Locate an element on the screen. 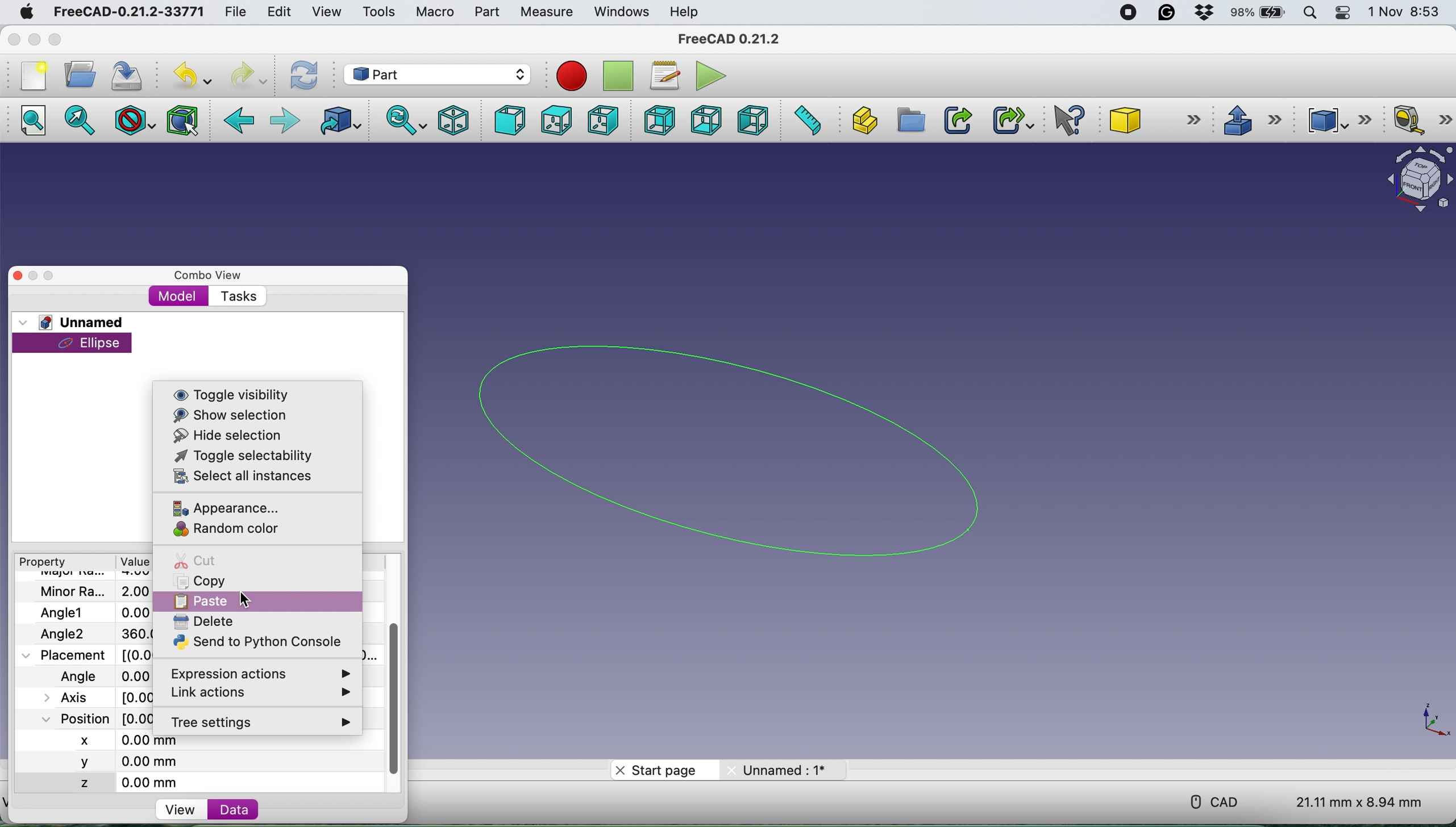  cad is located at coordinates (1217, 800).